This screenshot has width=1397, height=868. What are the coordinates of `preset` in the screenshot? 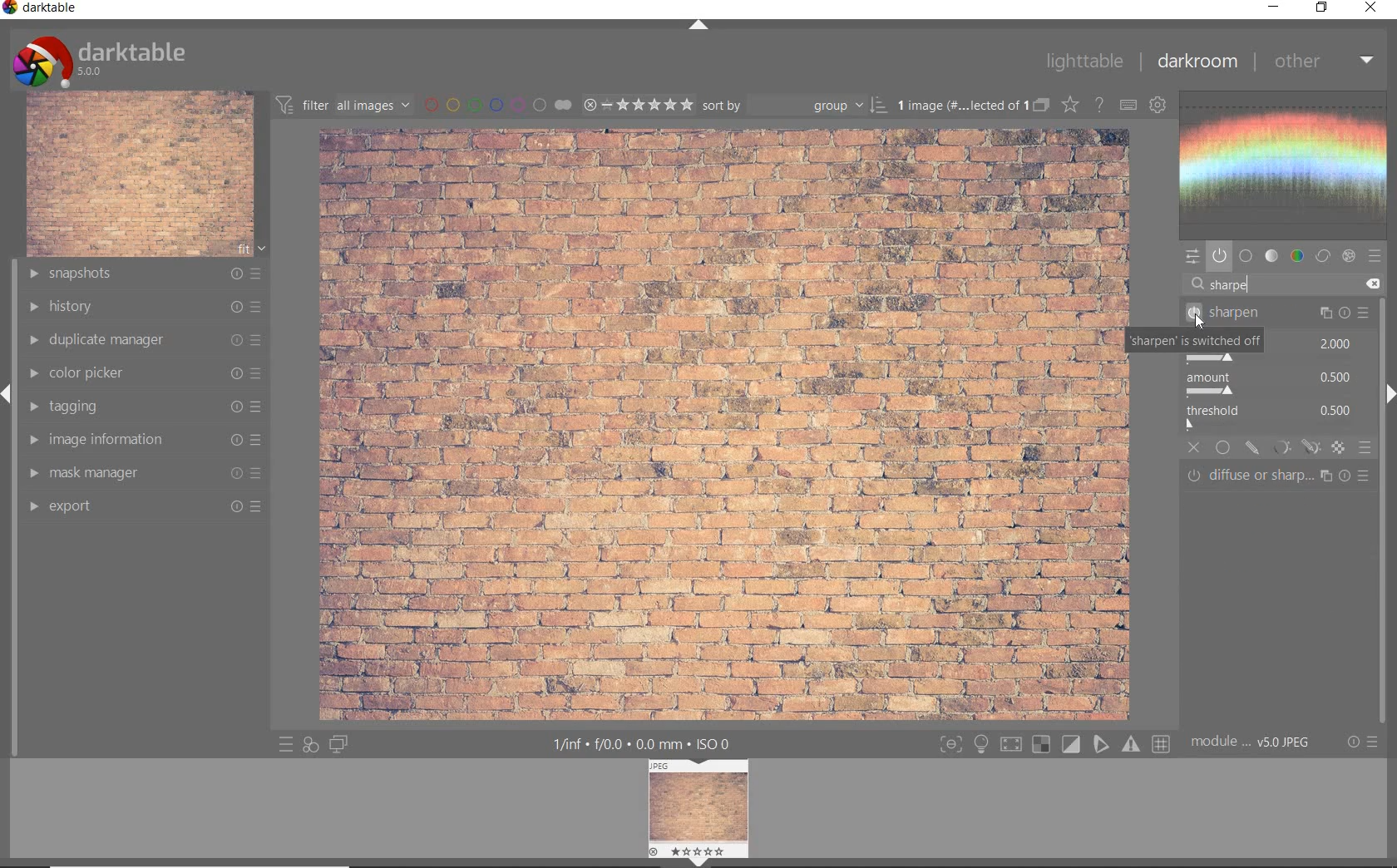 It's located at (1375, 256).